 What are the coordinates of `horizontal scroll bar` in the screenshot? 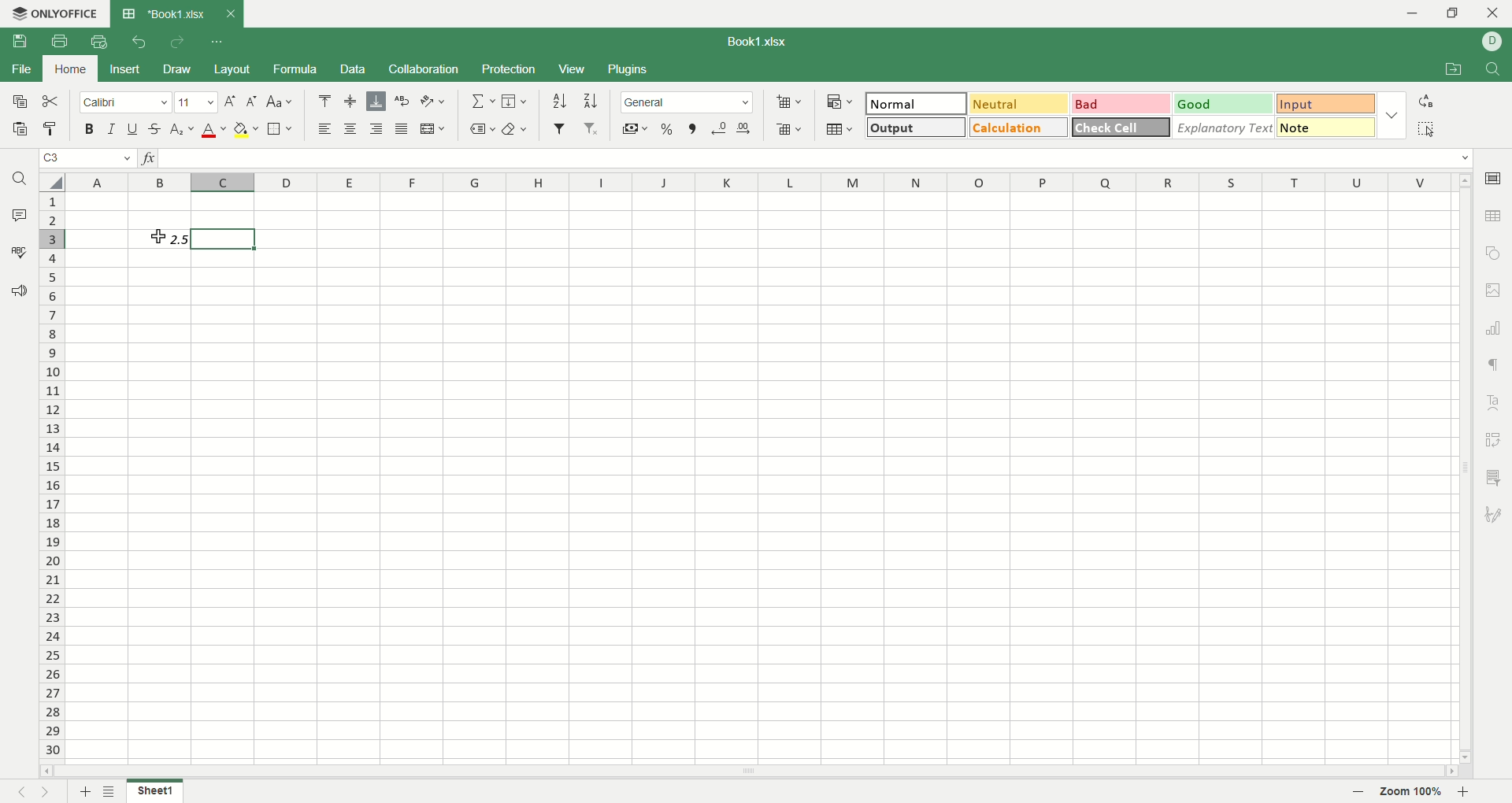 It's located at (752, 772).